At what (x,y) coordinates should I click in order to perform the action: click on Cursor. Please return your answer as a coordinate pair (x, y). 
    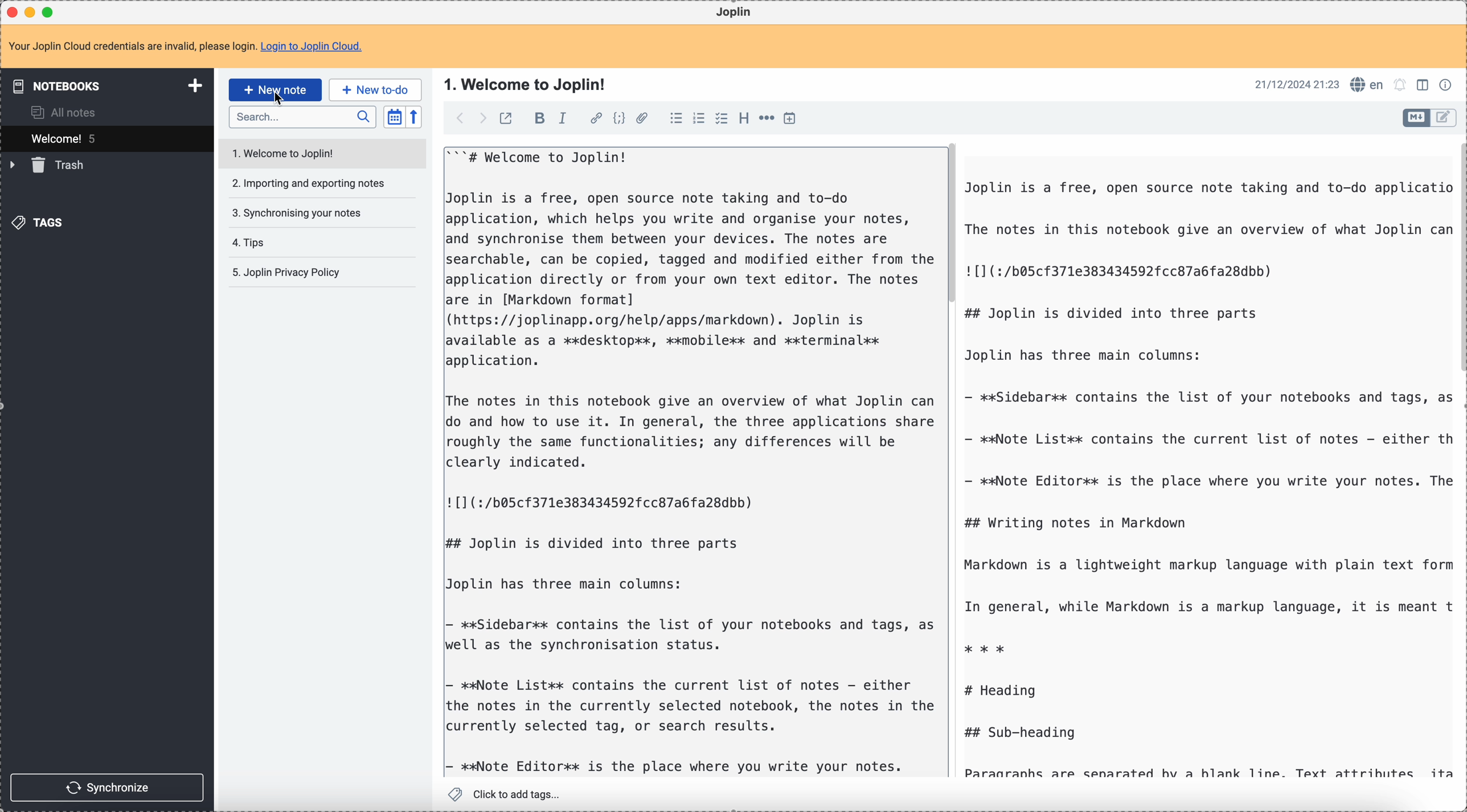
    Looking at the image, I should click on (279, 100).